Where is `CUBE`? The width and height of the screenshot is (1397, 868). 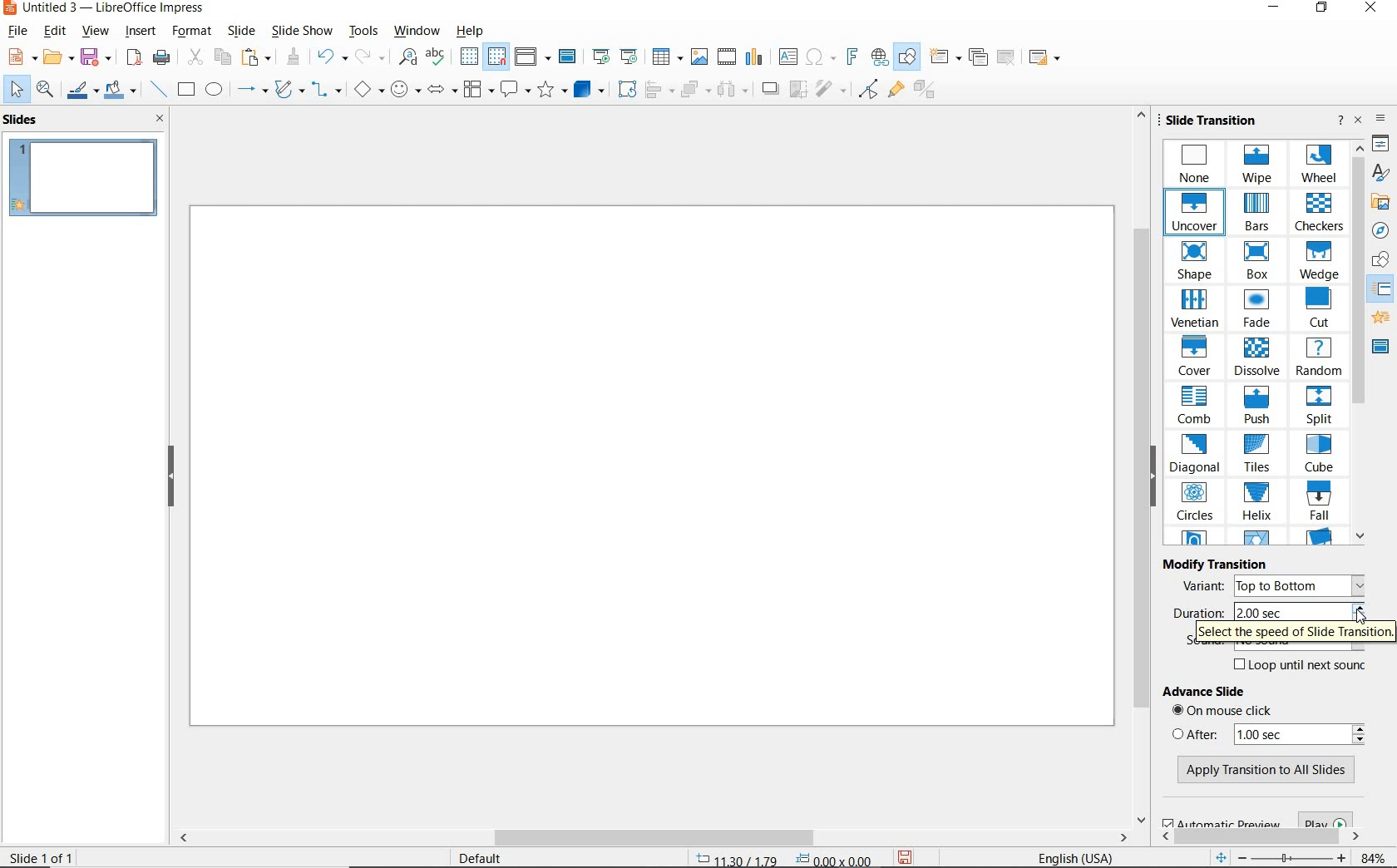 CUBE is located at coordinates (1317, 454).